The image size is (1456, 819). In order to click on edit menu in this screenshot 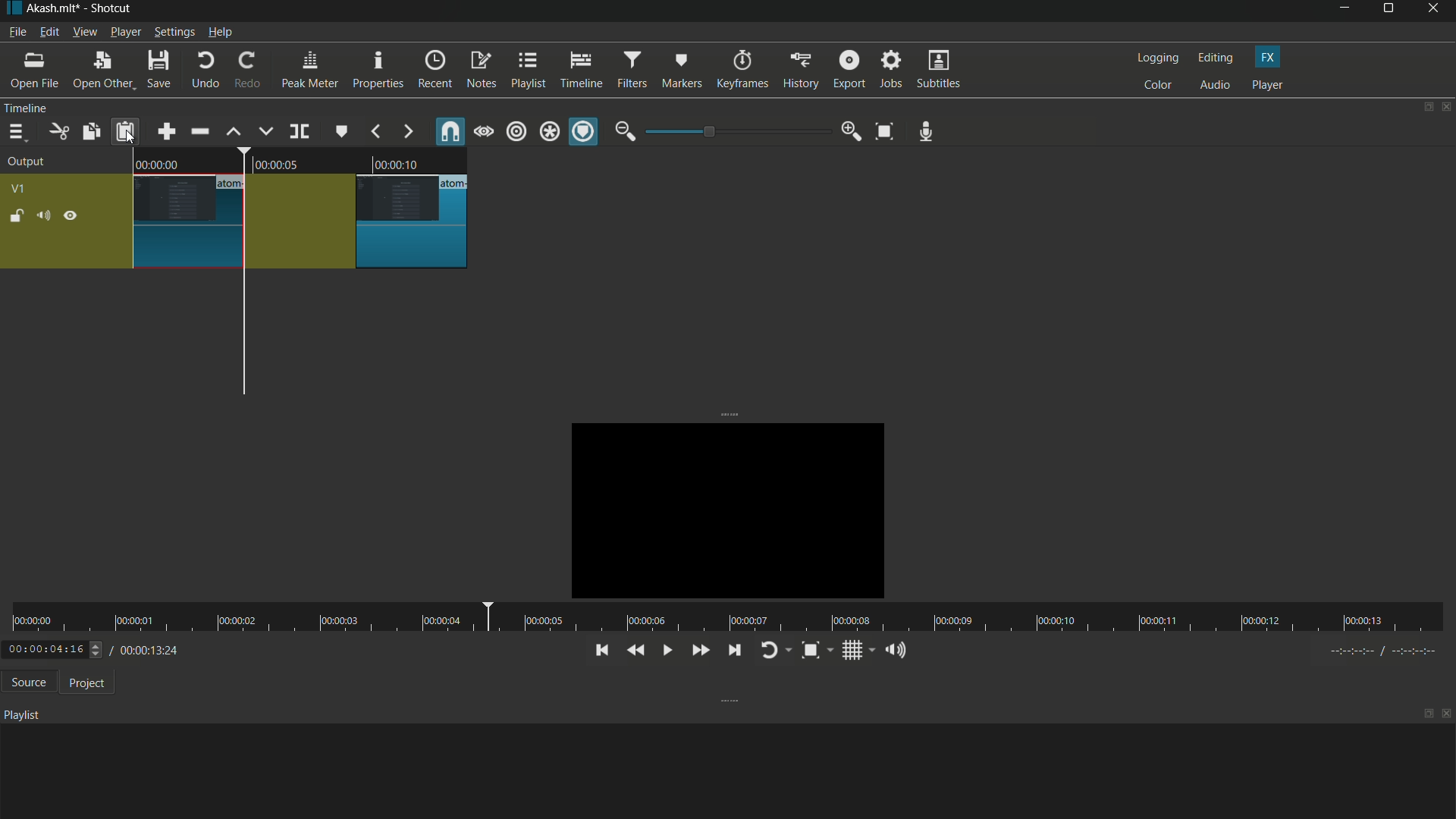, I will do `click(49, 33)`.